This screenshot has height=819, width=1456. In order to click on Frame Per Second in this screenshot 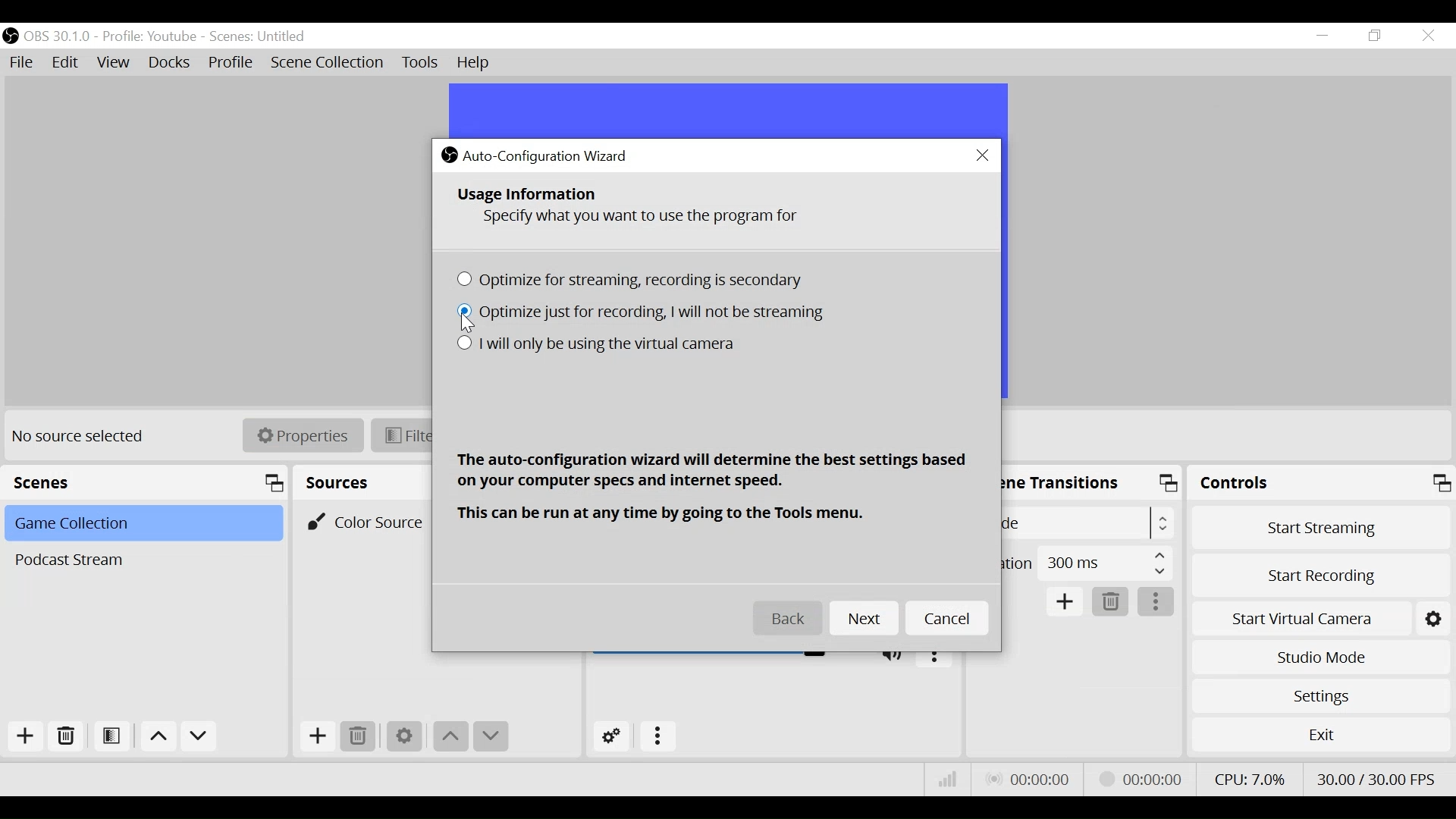, I will do `click(1377, 779)`.